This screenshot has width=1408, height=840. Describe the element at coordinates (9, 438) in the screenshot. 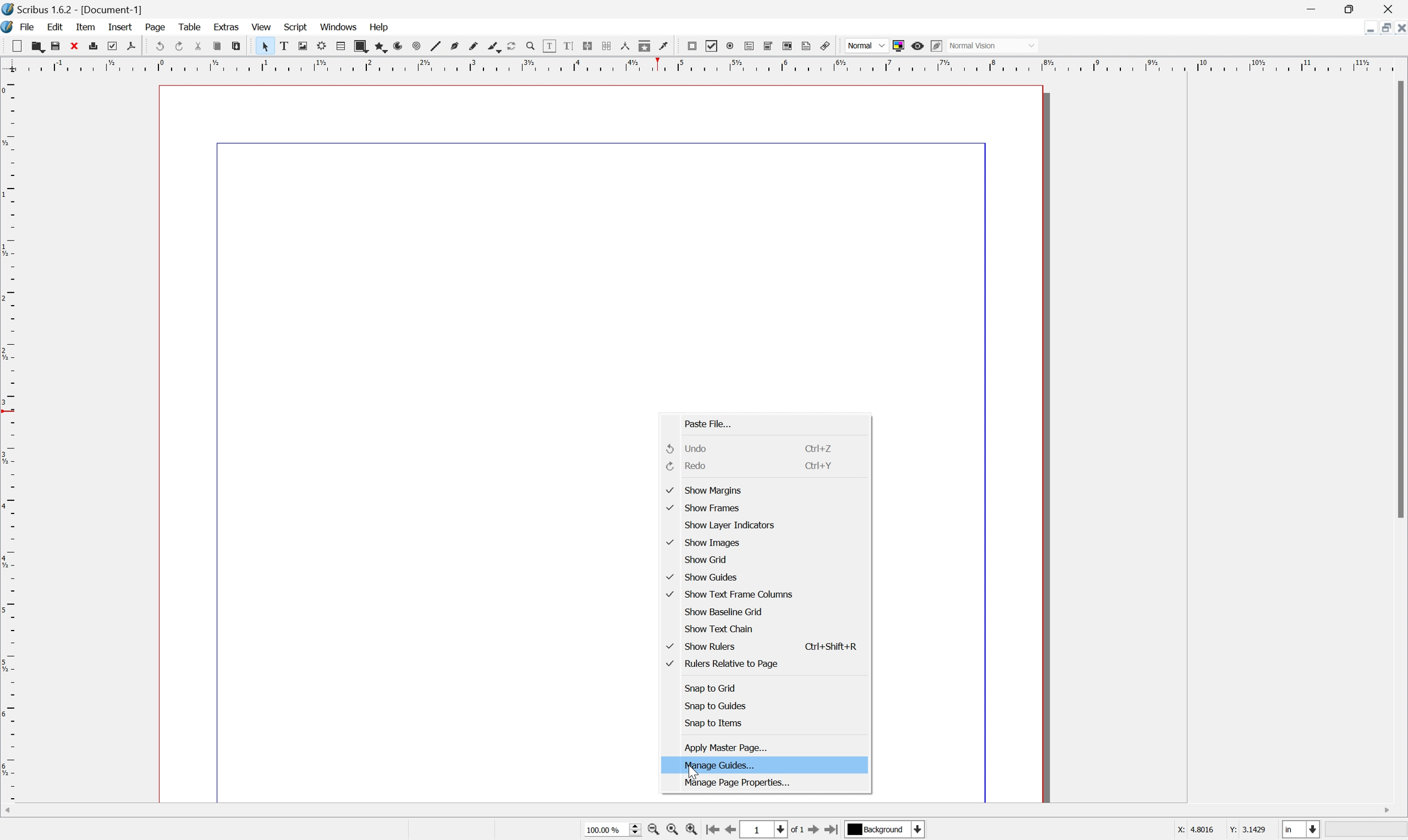

I see `ruler` at that location.